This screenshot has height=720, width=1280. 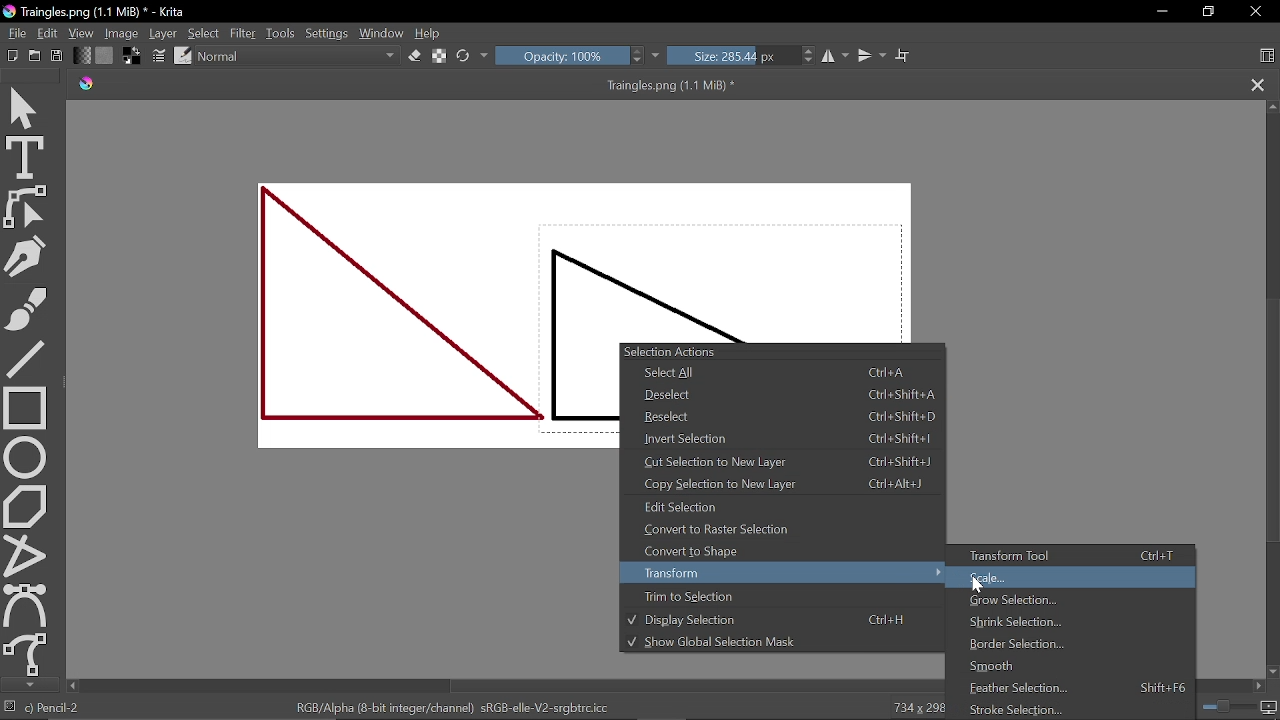 What do you see at coordinates (1063, 601) in the screenshot?
I see `Grow selection` at bounding box center [1063, 601].